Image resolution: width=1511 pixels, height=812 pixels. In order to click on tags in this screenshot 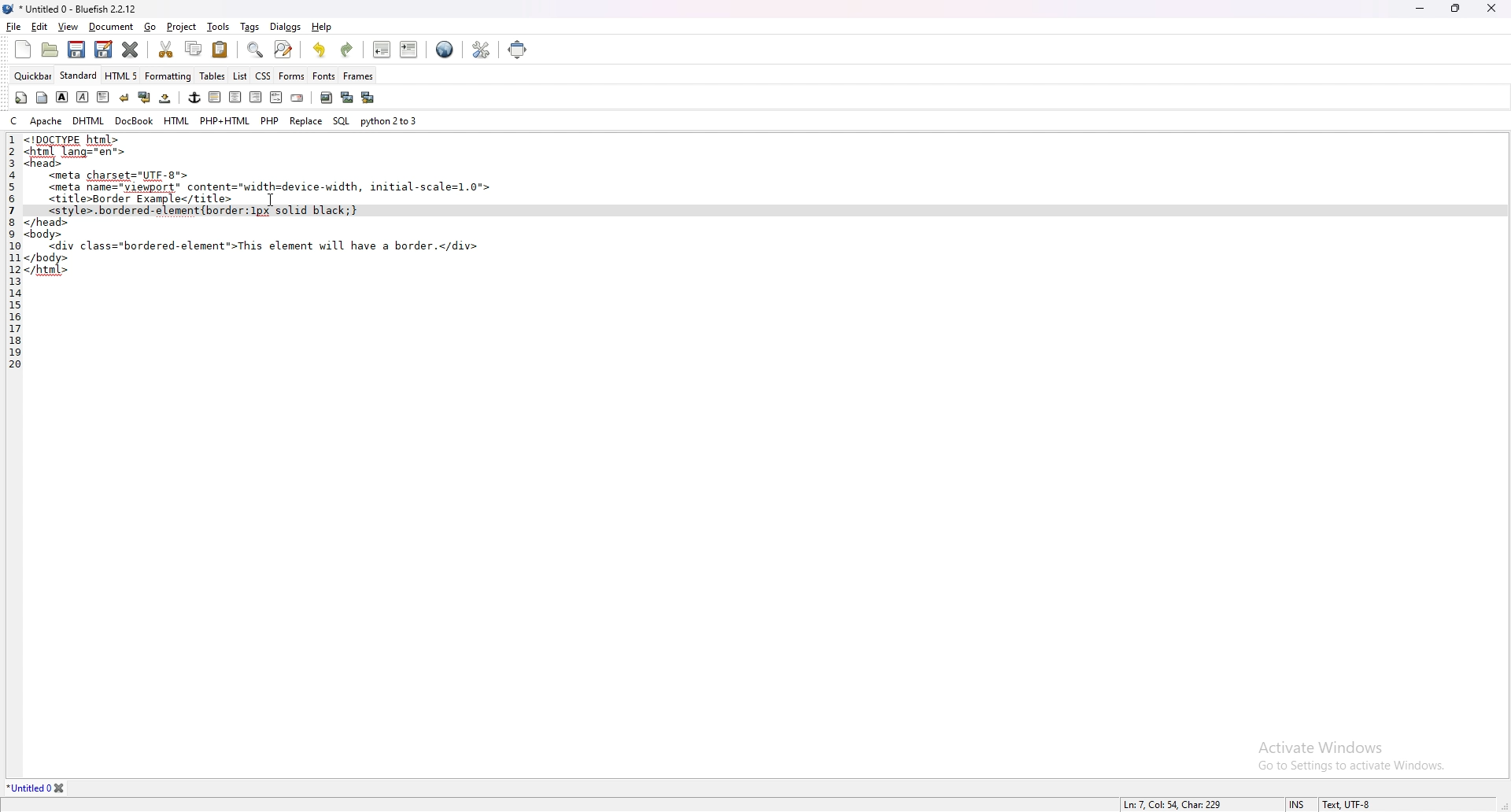, I will do `click(251, 28)`.